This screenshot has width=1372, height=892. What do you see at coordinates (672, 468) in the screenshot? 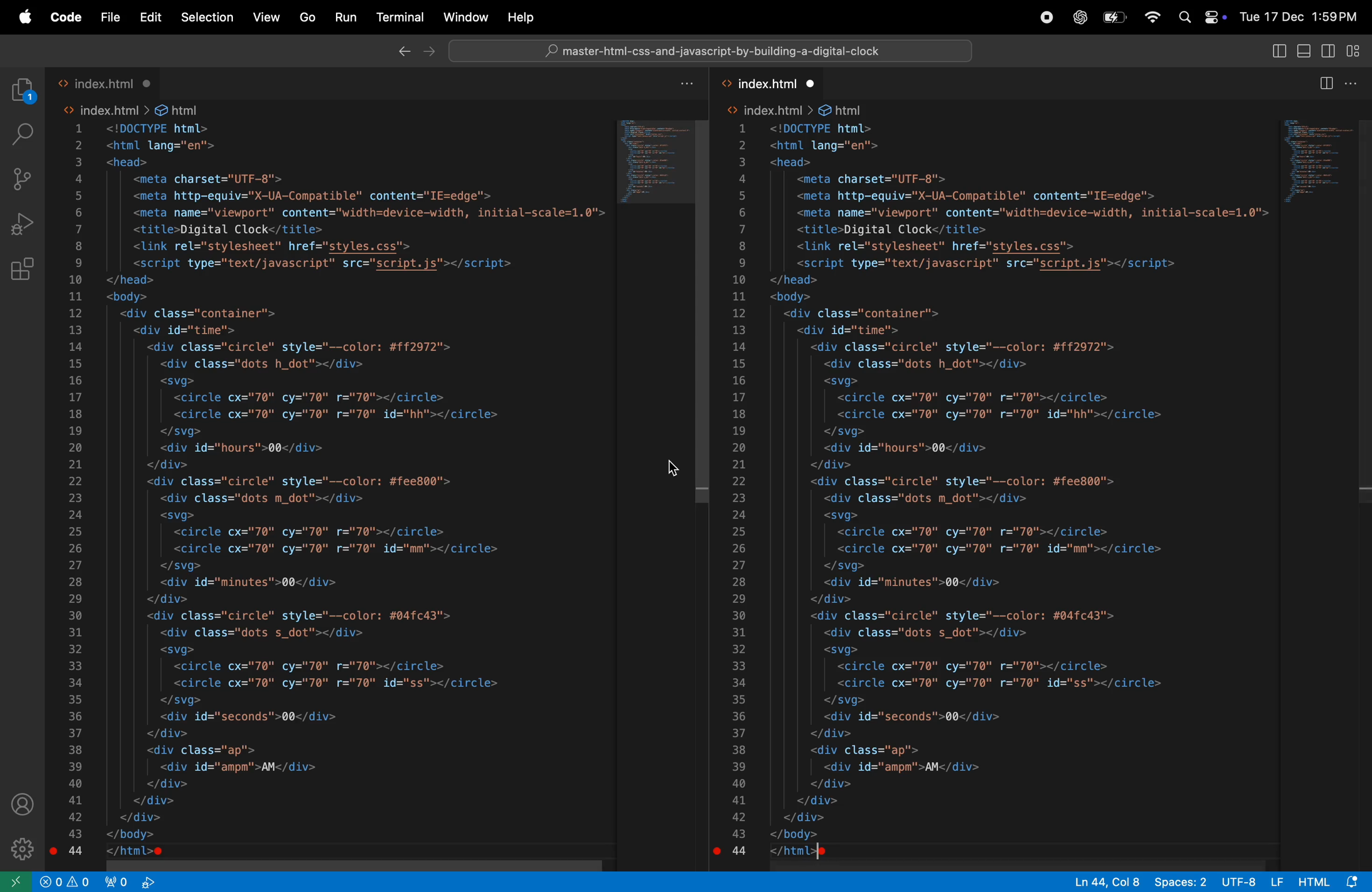
I see `cursor` at bounding box center [672, 468].